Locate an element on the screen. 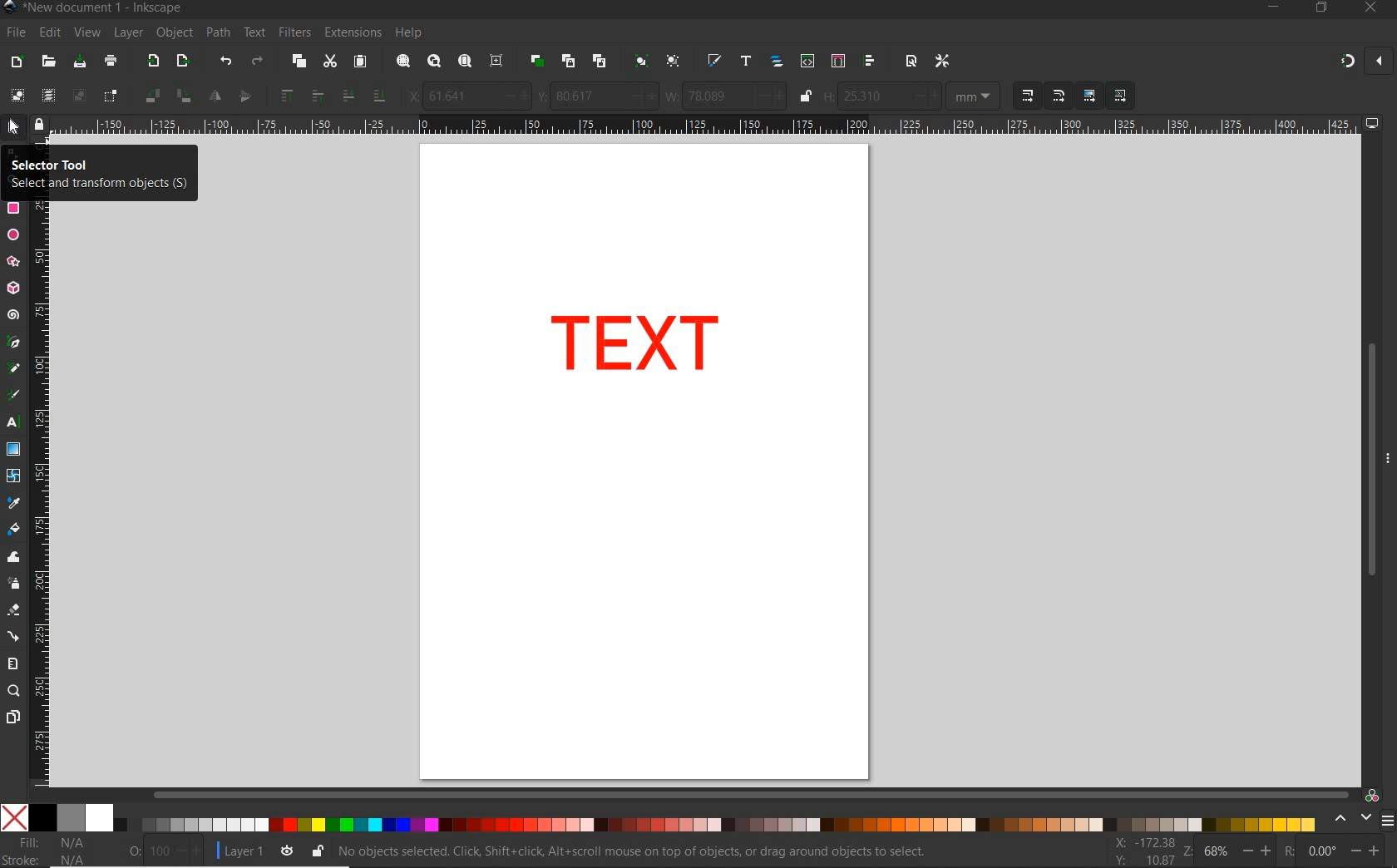 Image resolution: width=1397 pixels, height=868 pixels. hide is located at coordinates (1389, 457).